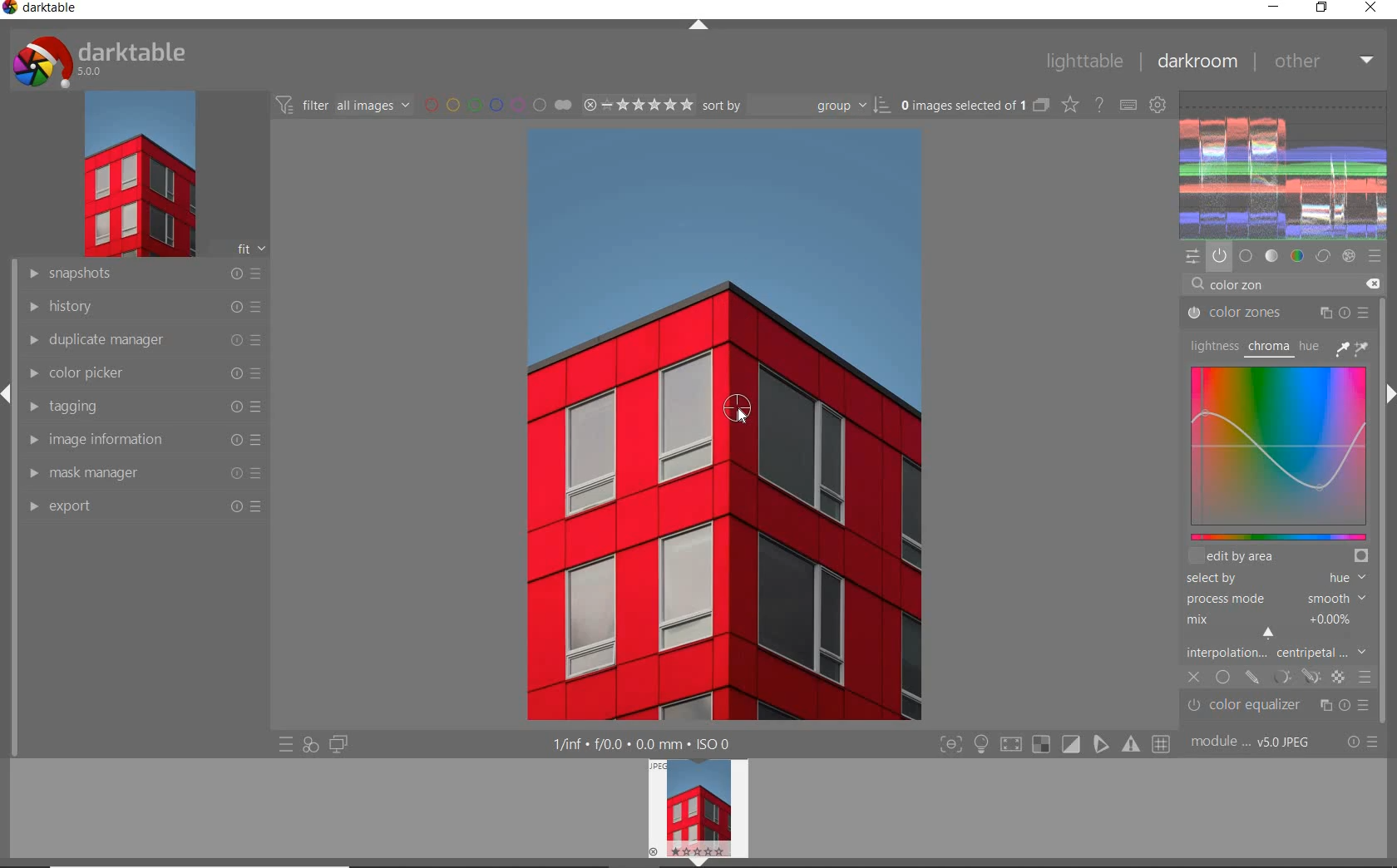  I want to click on selected Image range rating, so click(639, 104).